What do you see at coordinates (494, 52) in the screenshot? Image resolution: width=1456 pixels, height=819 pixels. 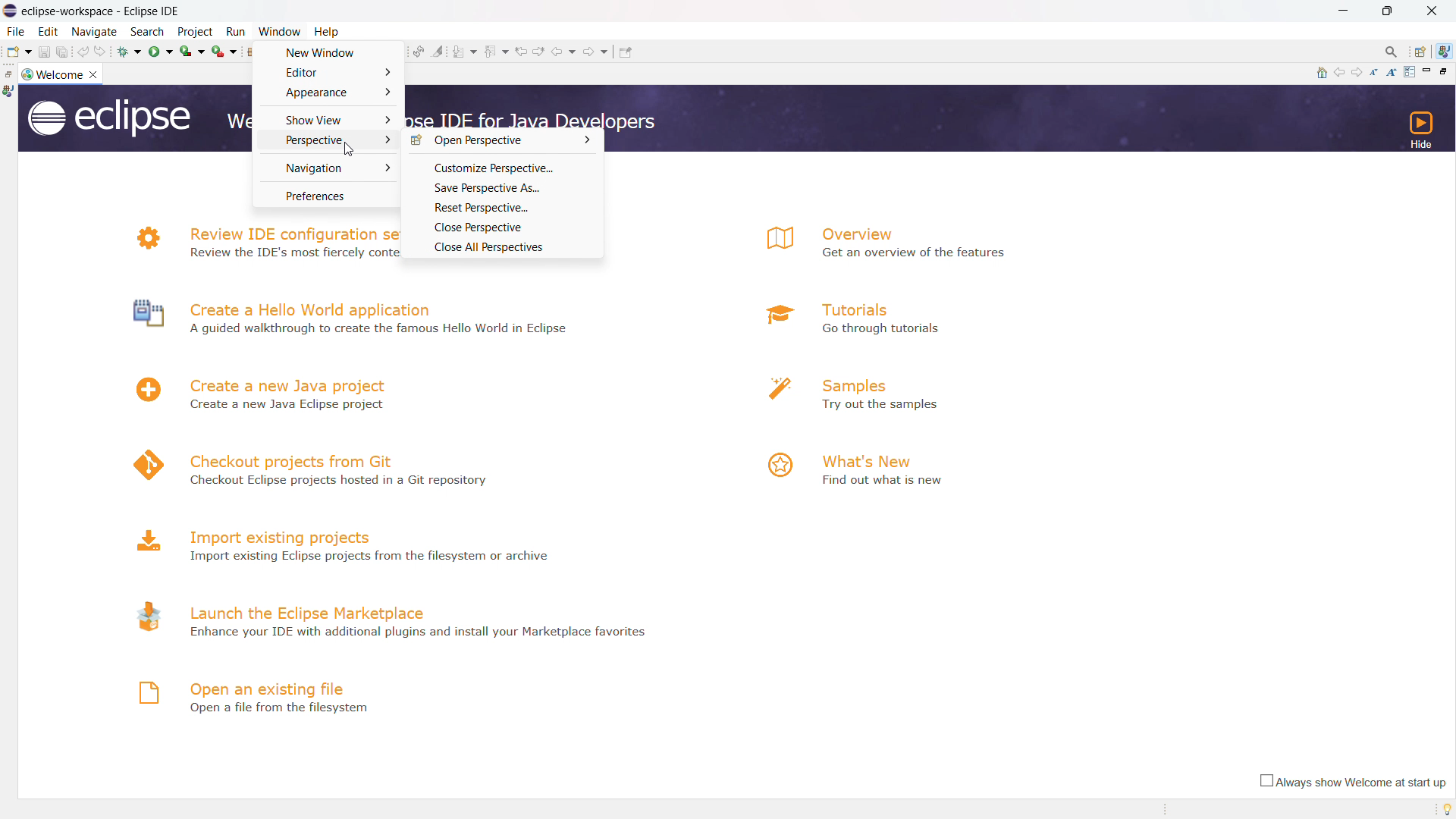 I see `previous annotation` at bounding box center [494, 52].